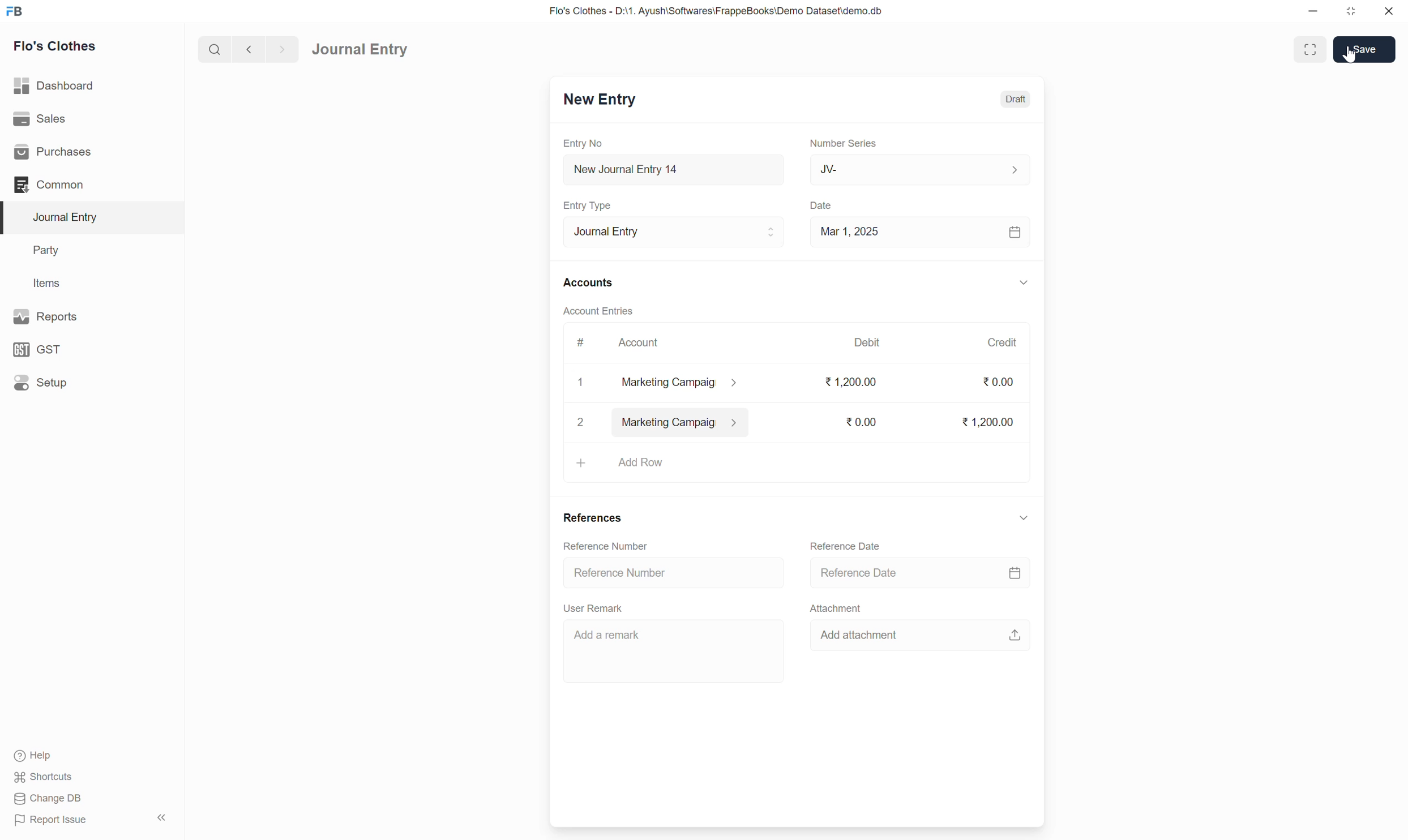 The width and height of the screenshot is (1408, 840). I want to click on Add a remark, so click(609, 634).